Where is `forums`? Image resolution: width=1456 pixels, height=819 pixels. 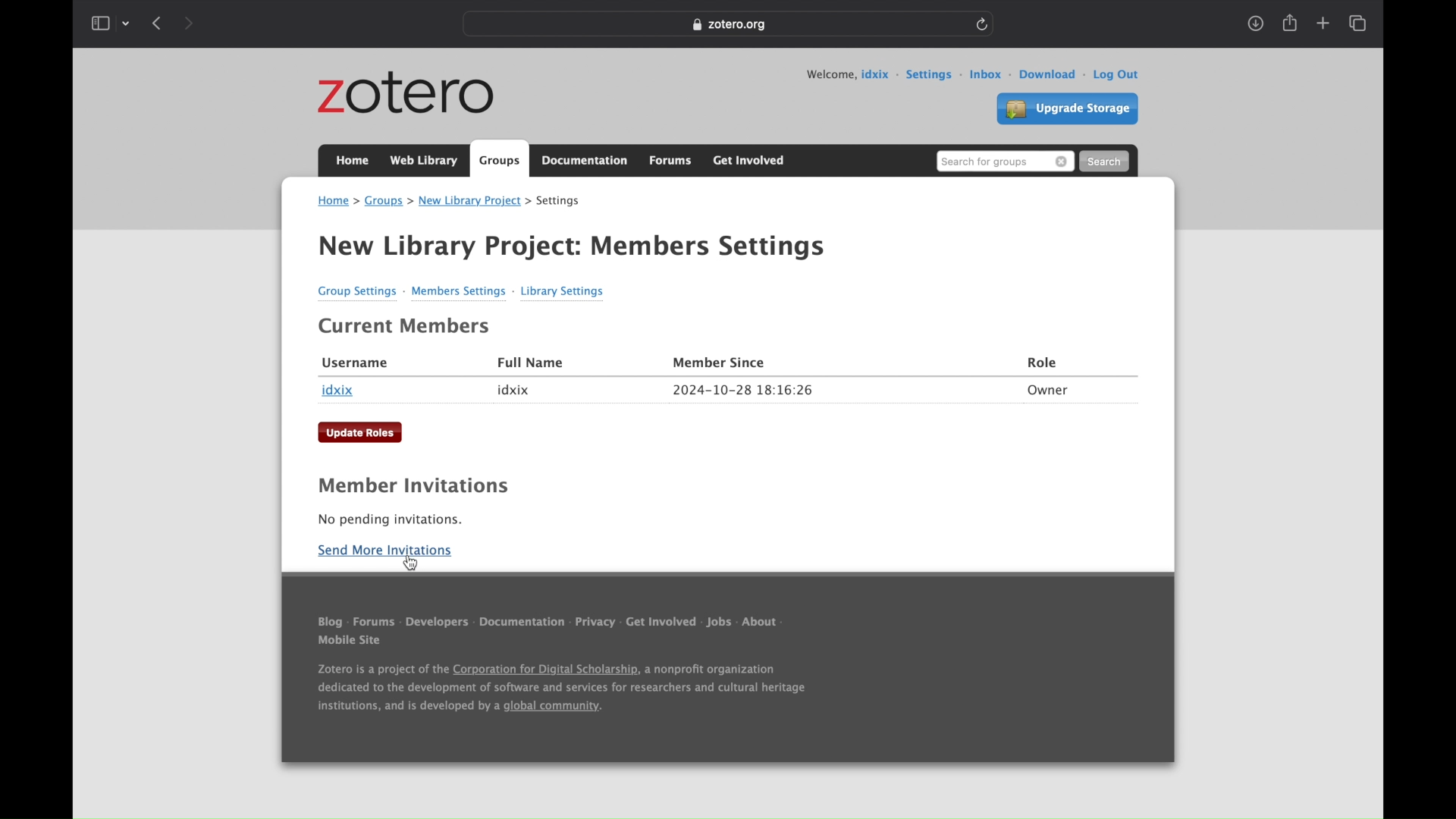 forums is located at coordinates (673, 160).